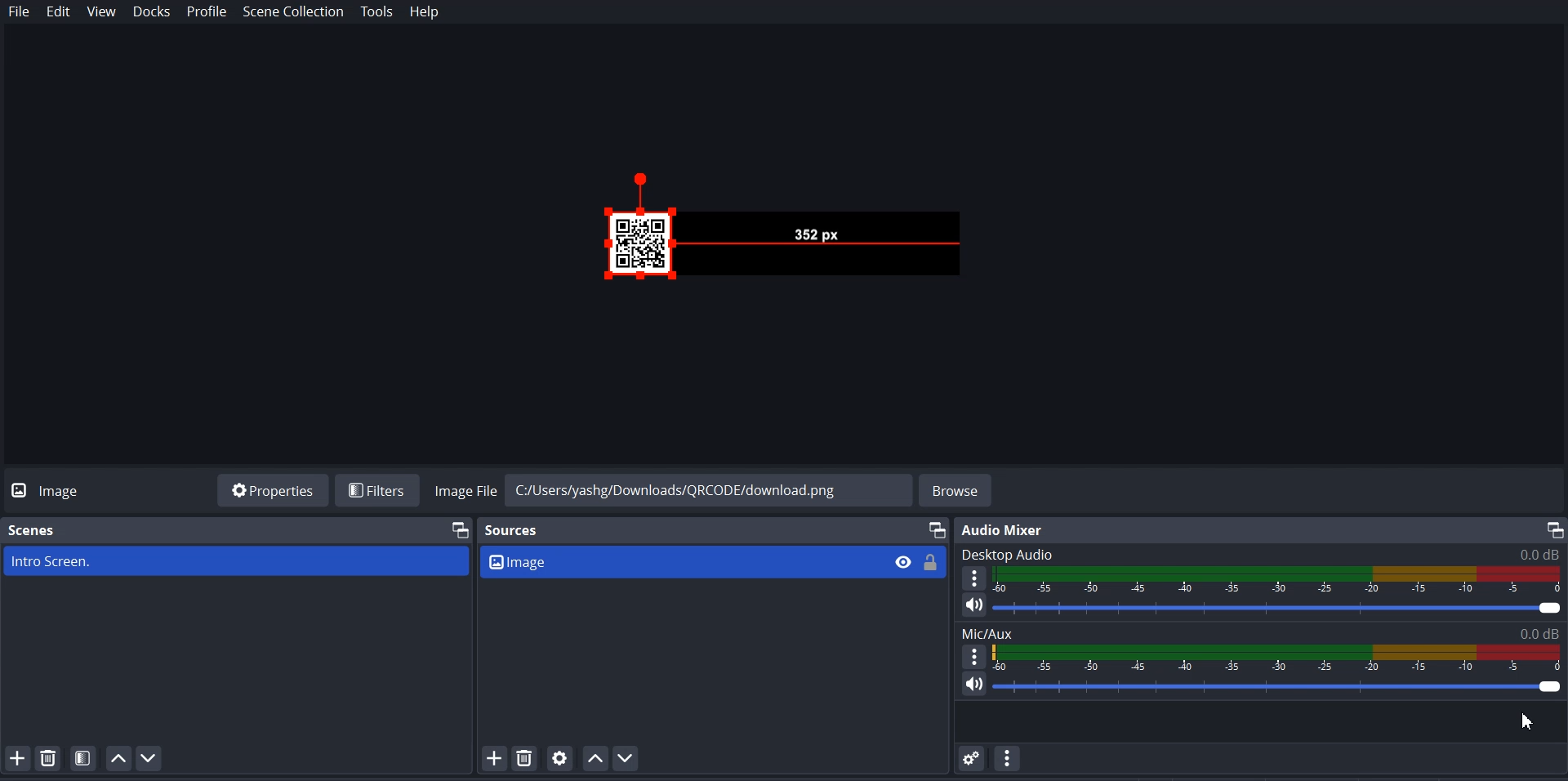 The width and height of the screenshot is (1568, 781). I want to click on Text, so click(1262, 633).